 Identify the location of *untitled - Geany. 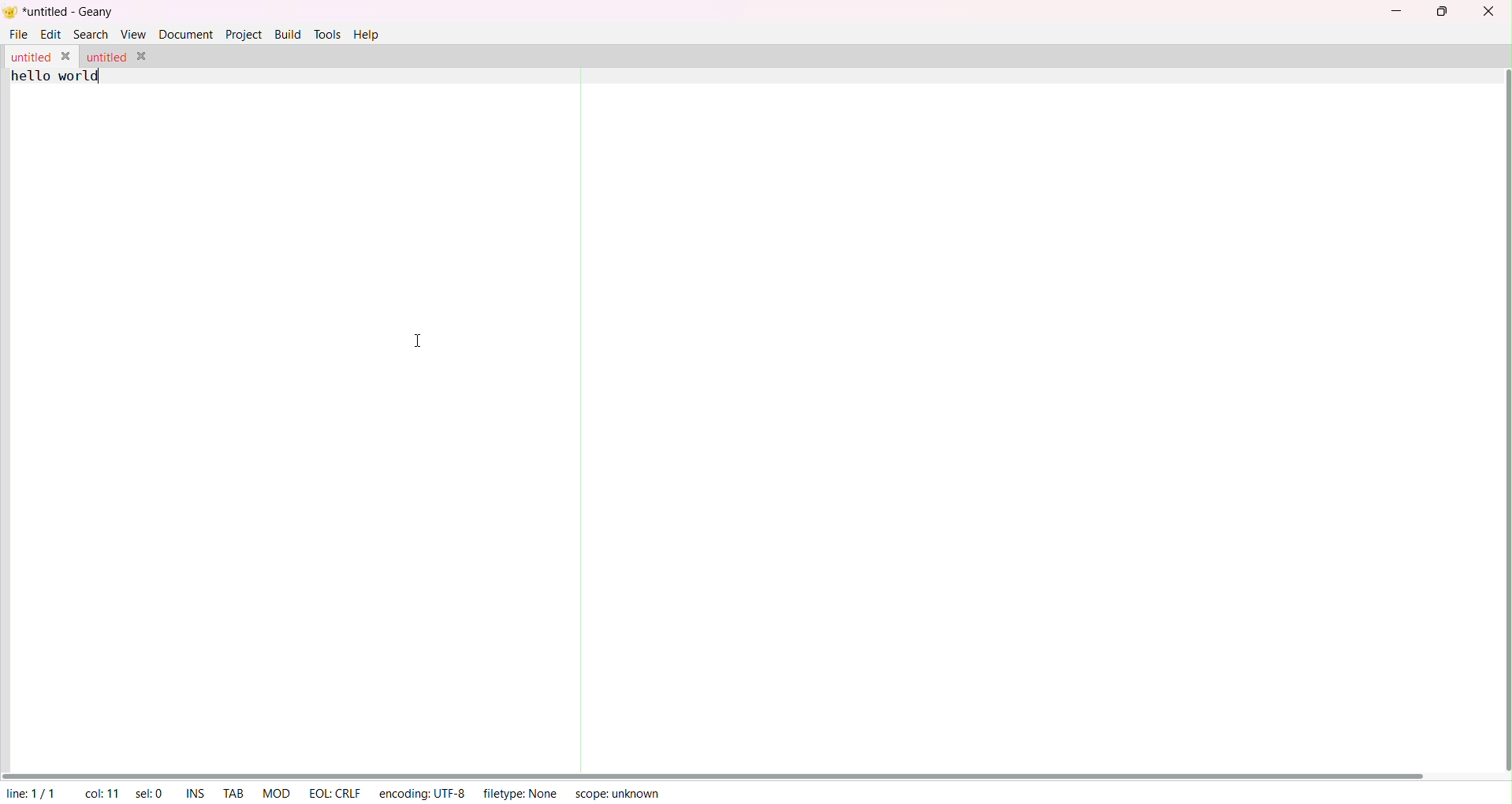
(68, 13).